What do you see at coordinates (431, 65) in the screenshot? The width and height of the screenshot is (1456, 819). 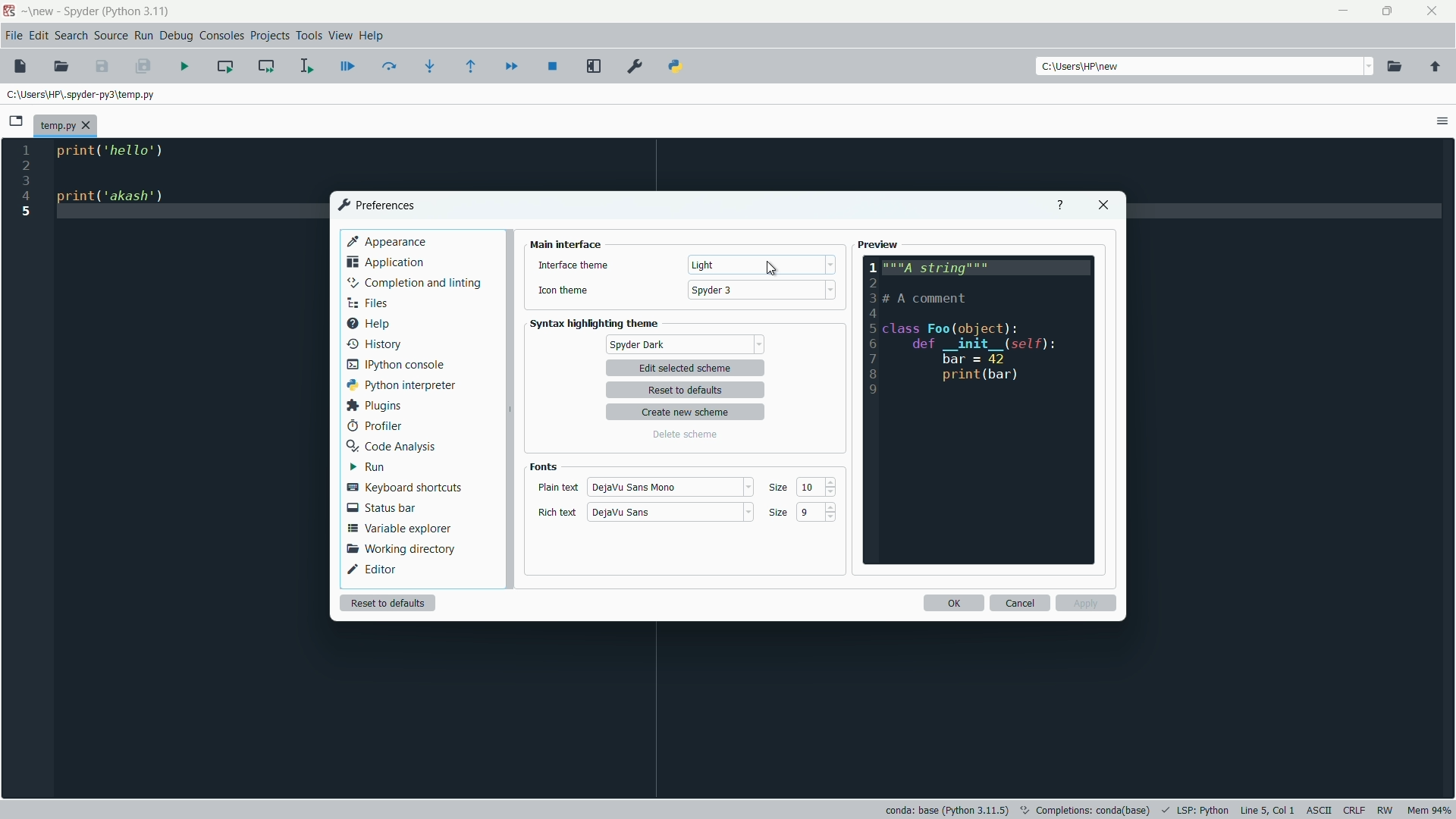 I see `step into function` at bounding box center [431, 65].